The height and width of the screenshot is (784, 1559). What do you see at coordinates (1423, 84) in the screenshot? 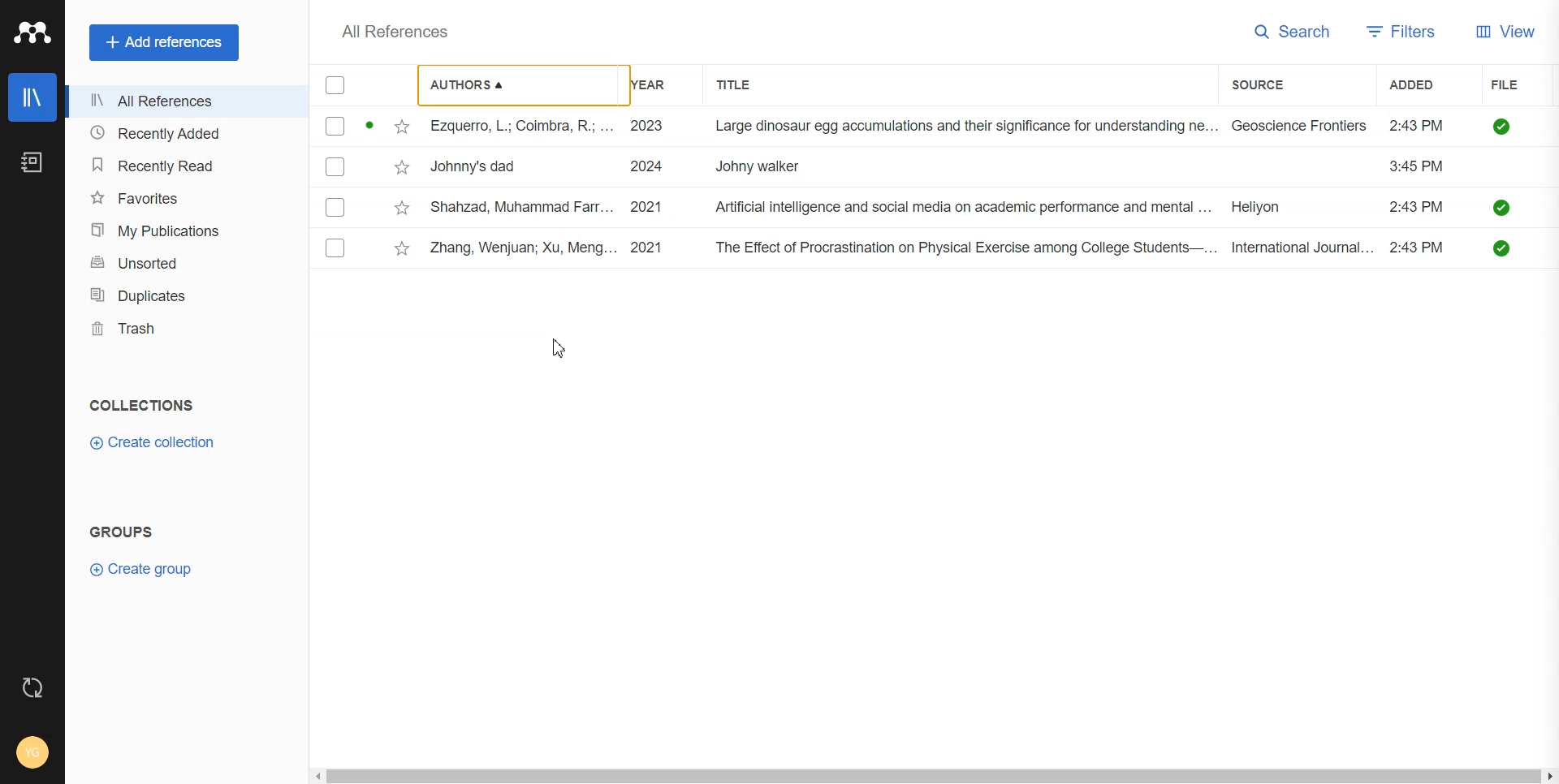
I see `Added` at bounding box center [1423, 84].